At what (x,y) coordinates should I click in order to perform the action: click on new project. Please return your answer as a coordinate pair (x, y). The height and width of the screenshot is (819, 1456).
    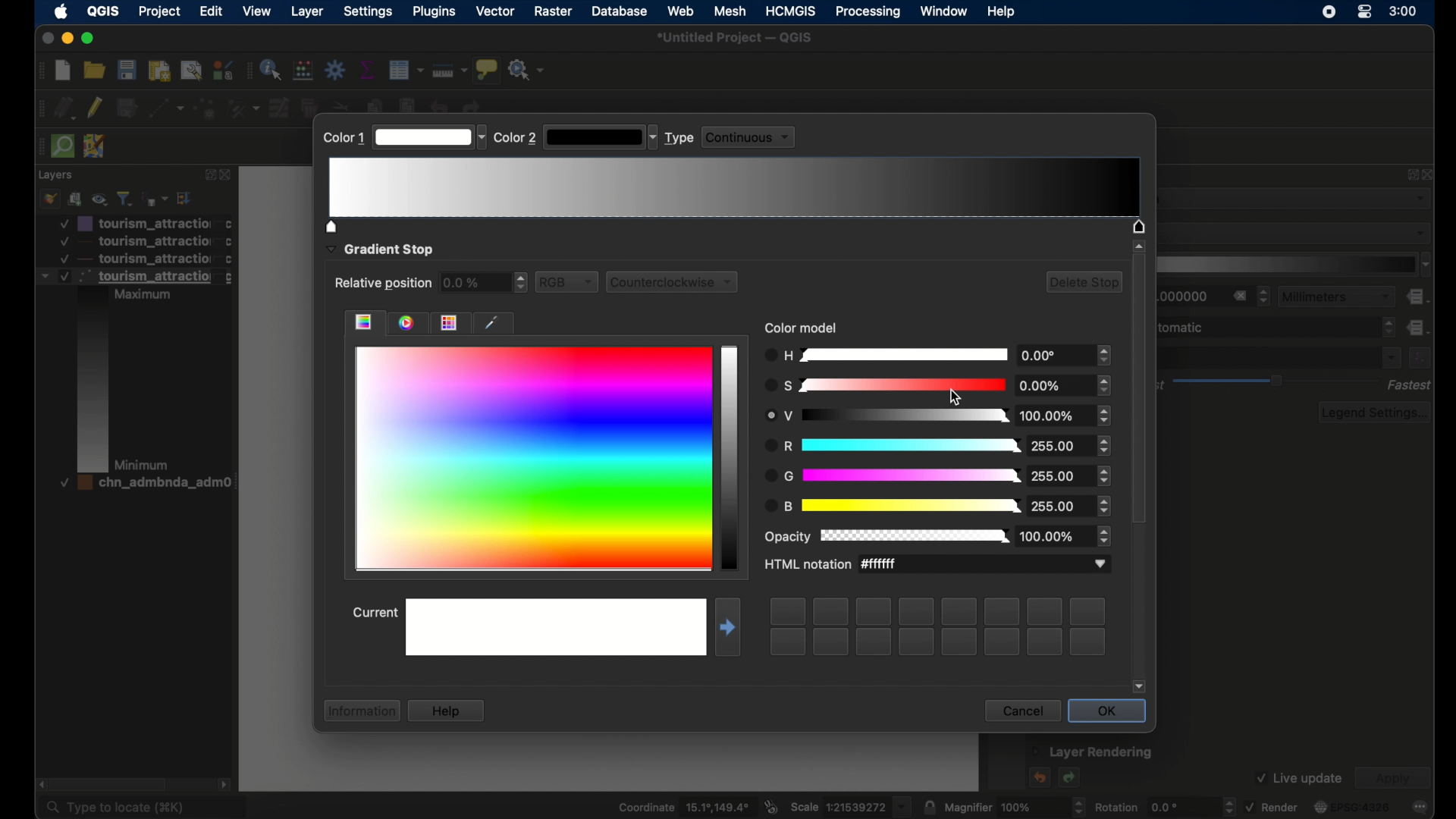
    Looking at the image, I should click on (63, 71).